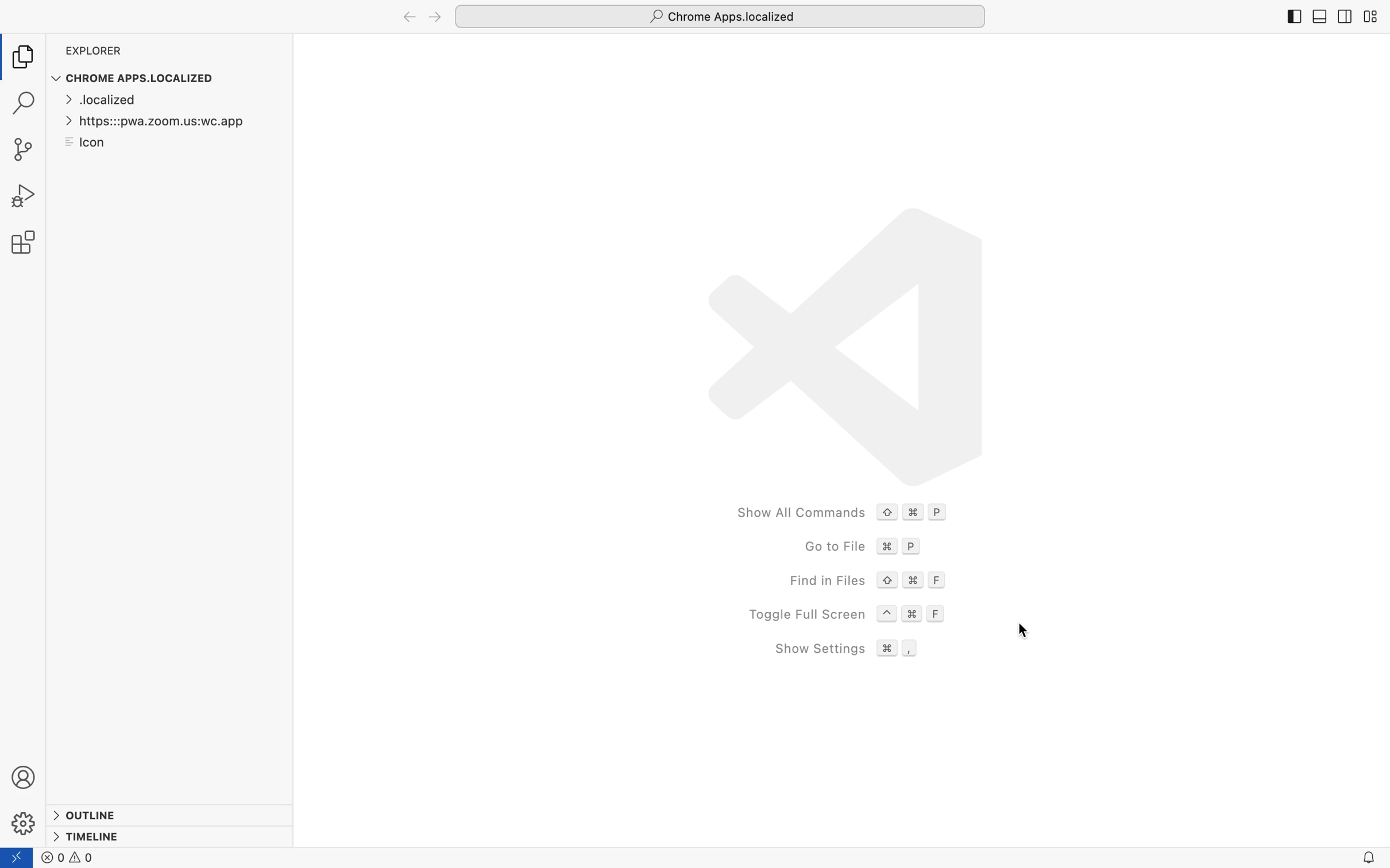 Image resolution: width=1390 pixels, height=868 pixels. What do you see at coordinates (1025, 631) in the screenshot?
I see `cursor` at bounding box center [1025, 631].